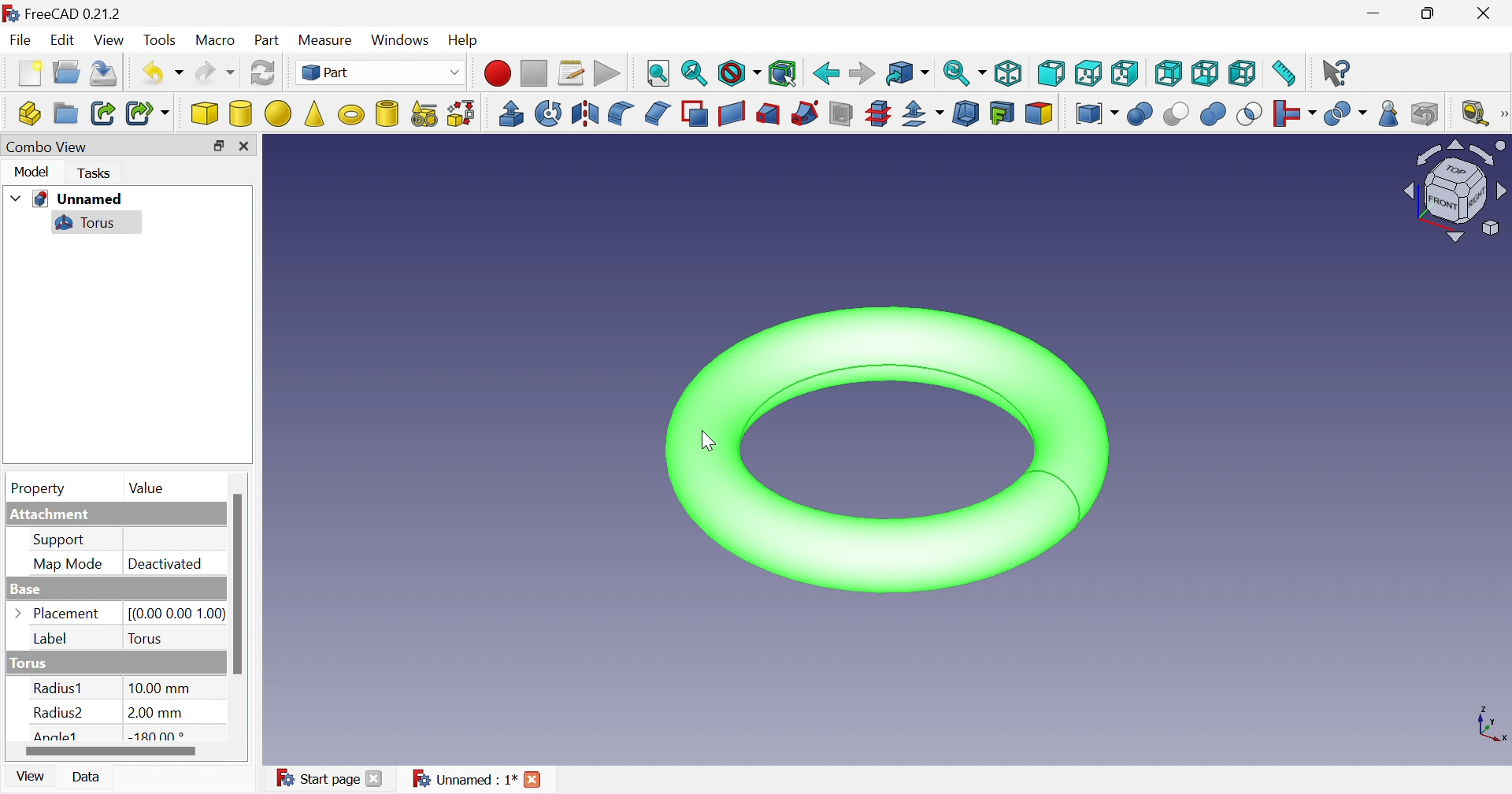 Image resolution: width=1512 pixels, height=794 pixels. I want to click on Loft, so click(768, 114).